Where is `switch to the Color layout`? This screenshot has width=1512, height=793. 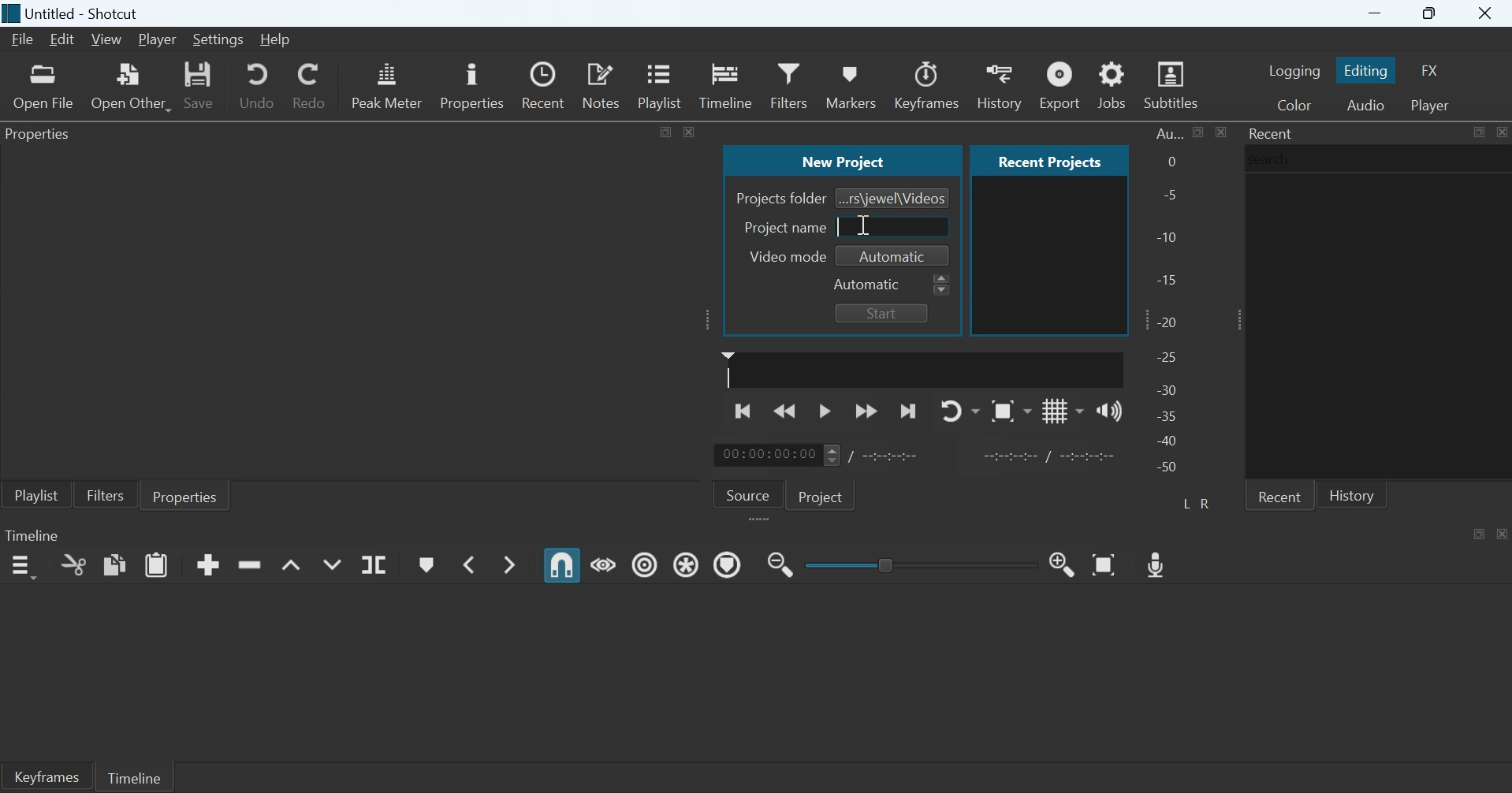 switch to the Color layout is located at coordinates (1294, 104).